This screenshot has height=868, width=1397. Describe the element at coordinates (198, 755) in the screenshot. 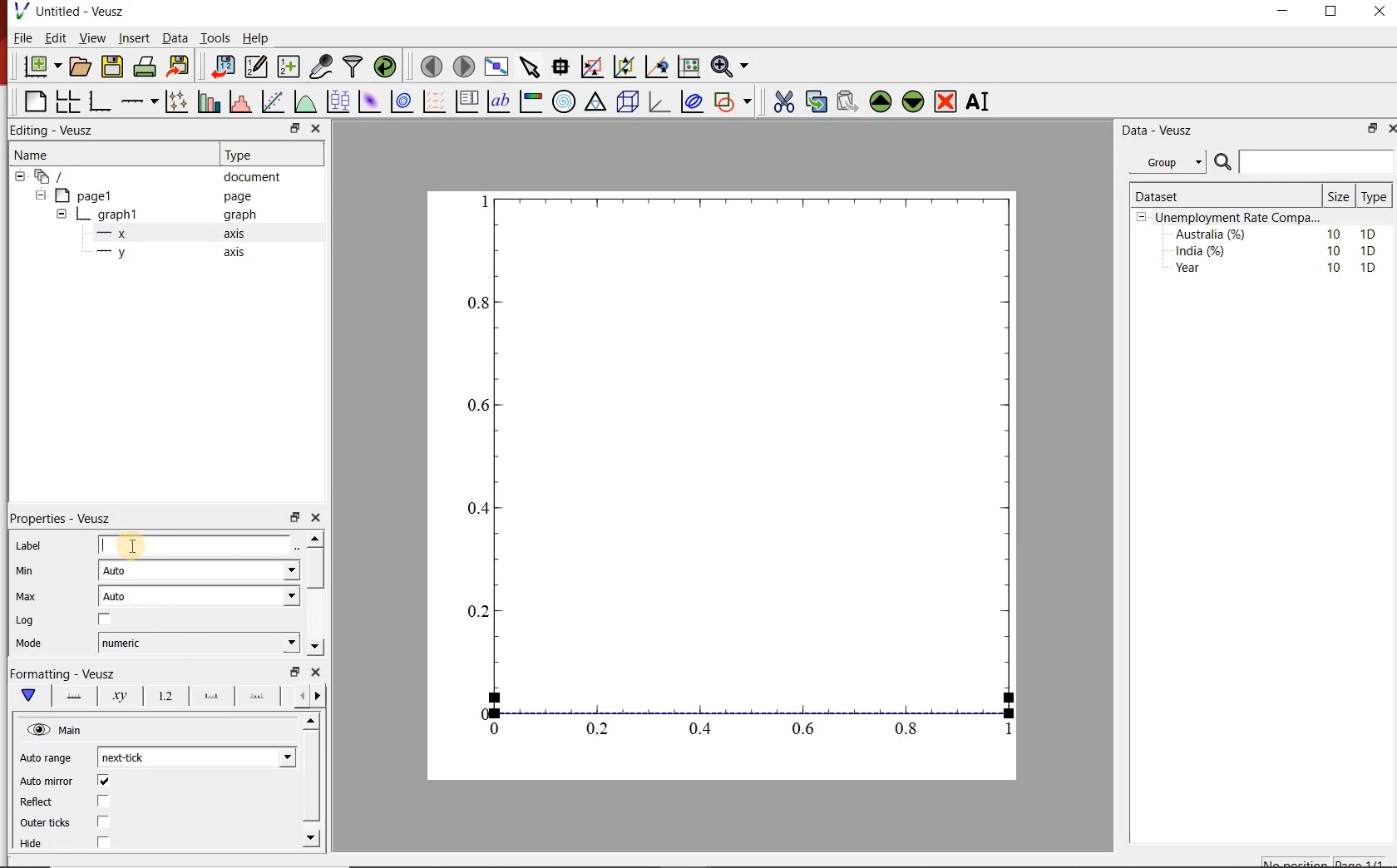

I see `next-tick` at that location.